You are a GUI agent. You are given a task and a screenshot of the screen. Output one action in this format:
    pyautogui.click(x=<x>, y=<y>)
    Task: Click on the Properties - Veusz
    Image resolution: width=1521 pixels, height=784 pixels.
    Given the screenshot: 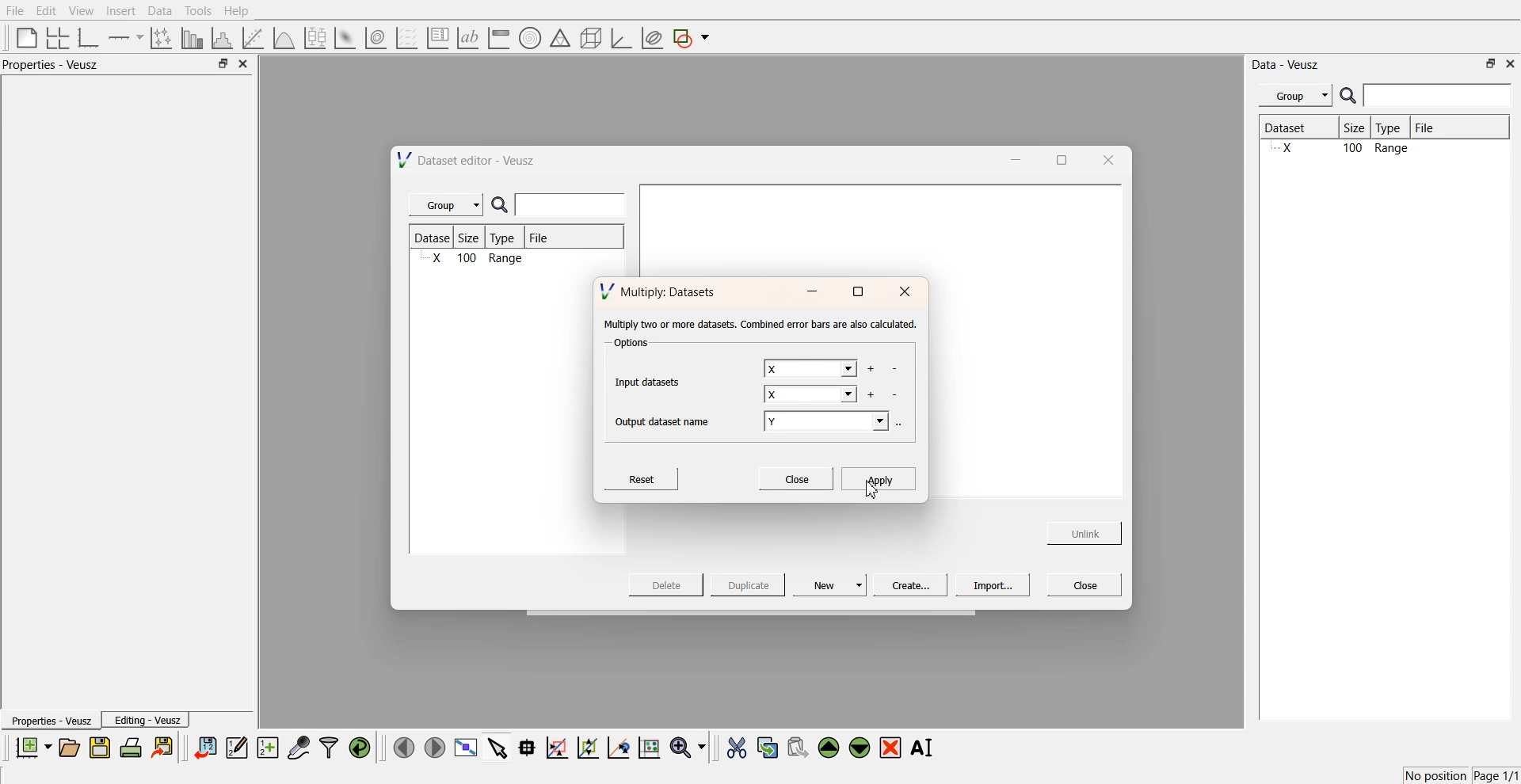 What is the action you would take?
    pyautogui.click(x=51, y=721)
    